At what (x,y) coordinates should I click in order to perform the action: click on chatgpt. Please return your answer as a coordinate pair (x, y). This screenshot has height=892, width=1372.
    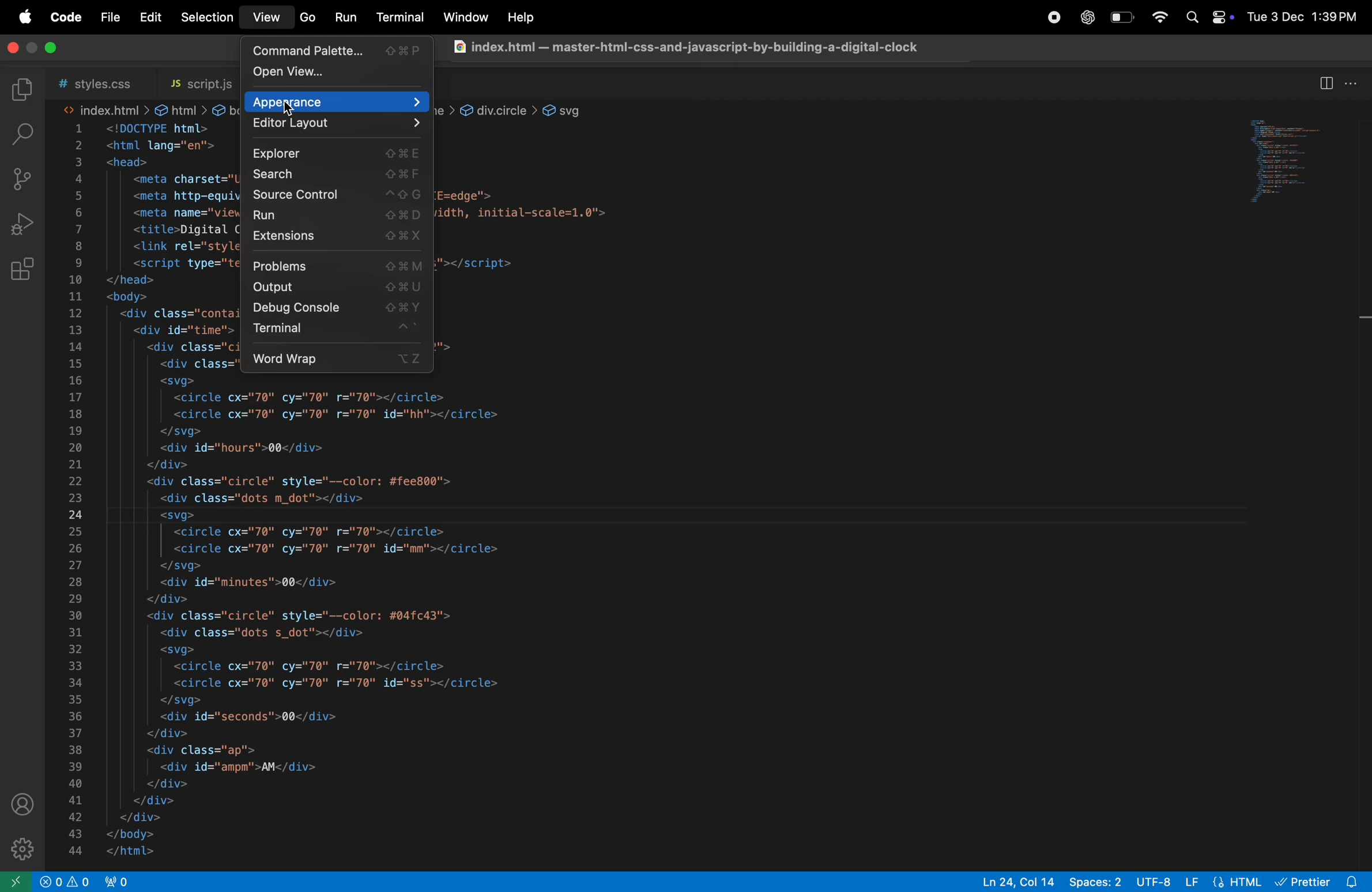
    Looking at the image, I should click on (1085, 17).